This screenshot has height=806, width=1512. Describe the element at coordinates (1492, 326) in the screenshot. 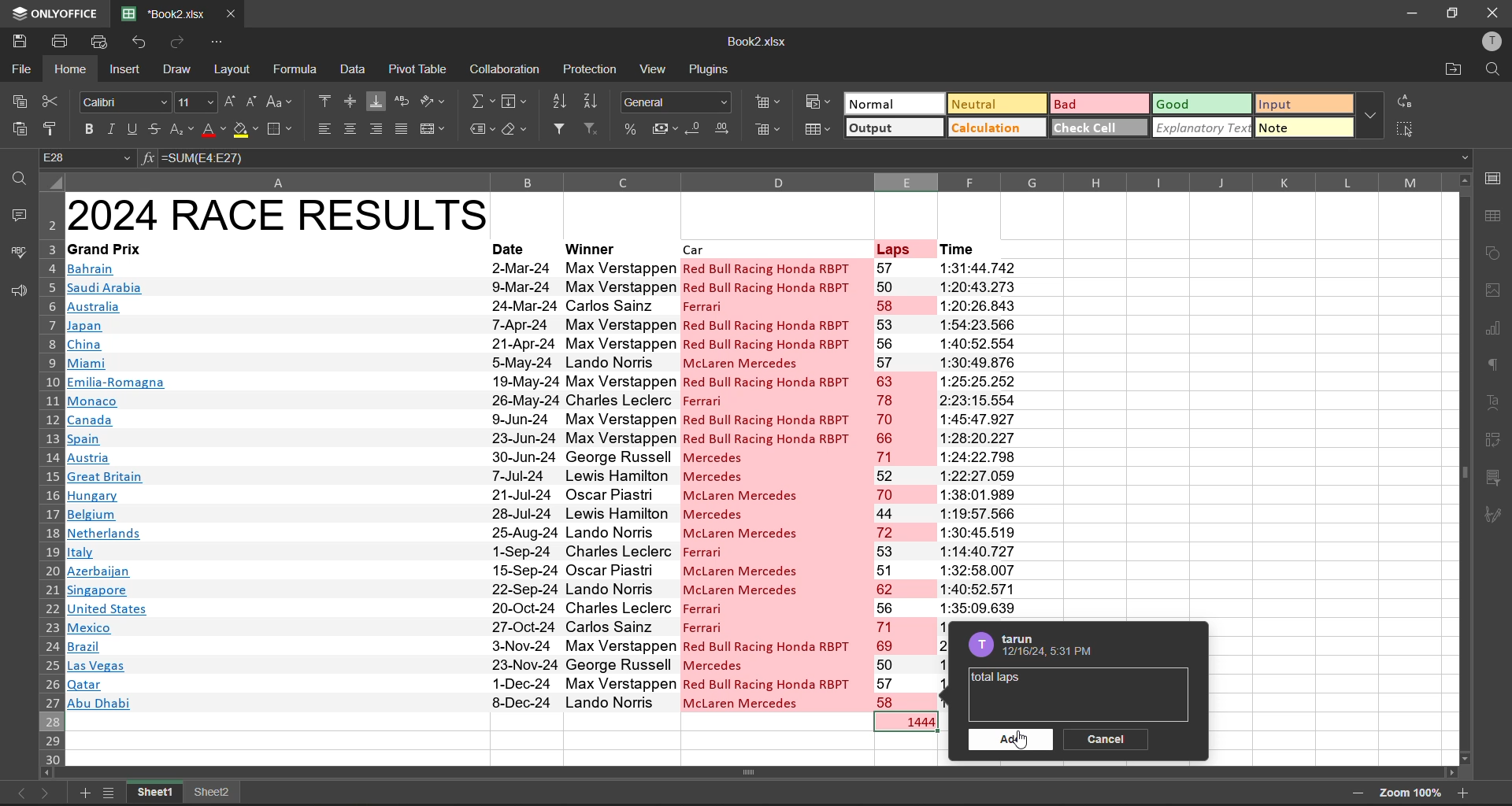

I see `charts` at that location.